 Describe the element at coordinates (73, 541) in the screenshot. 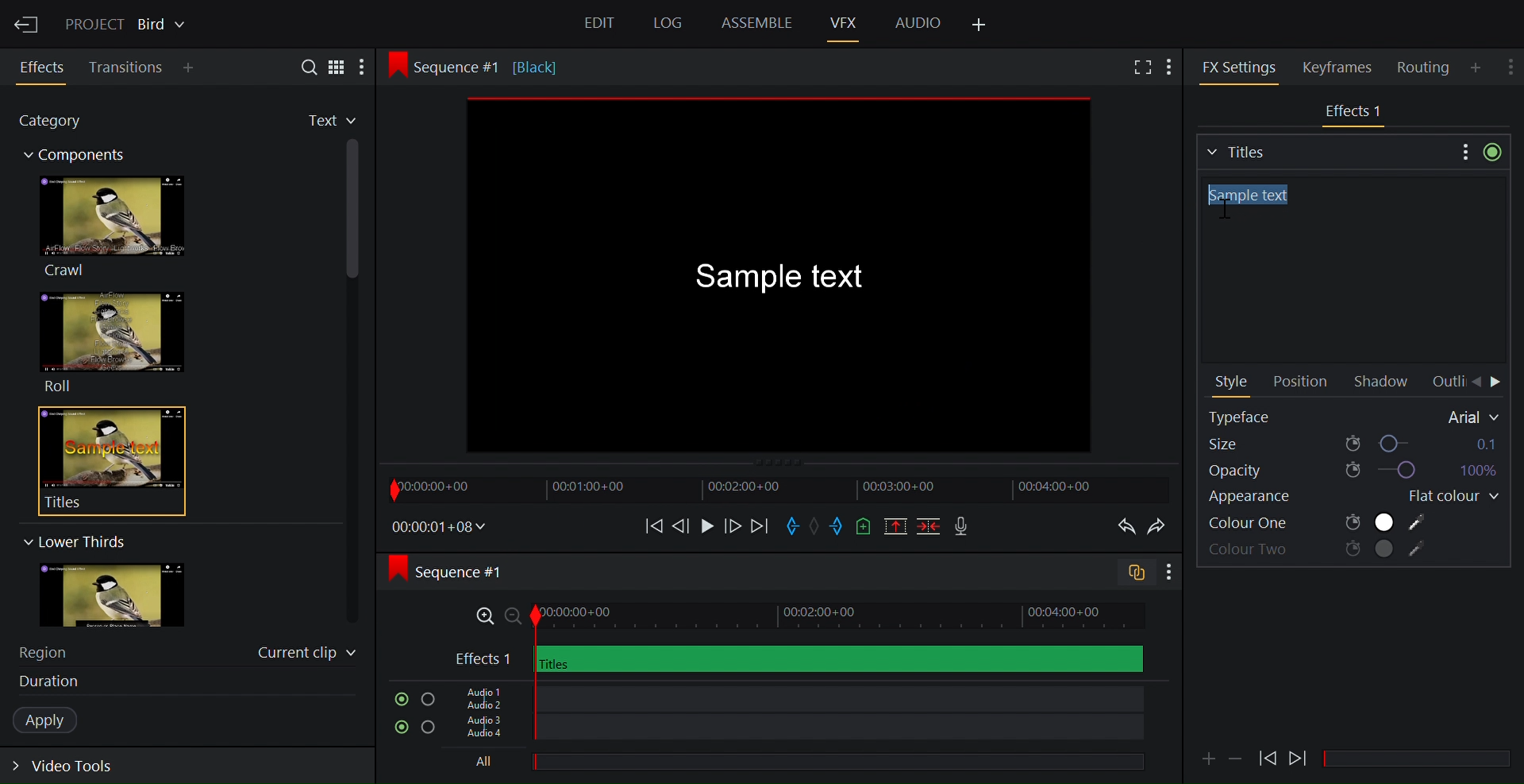

I see `Lower Thirs` at that location.